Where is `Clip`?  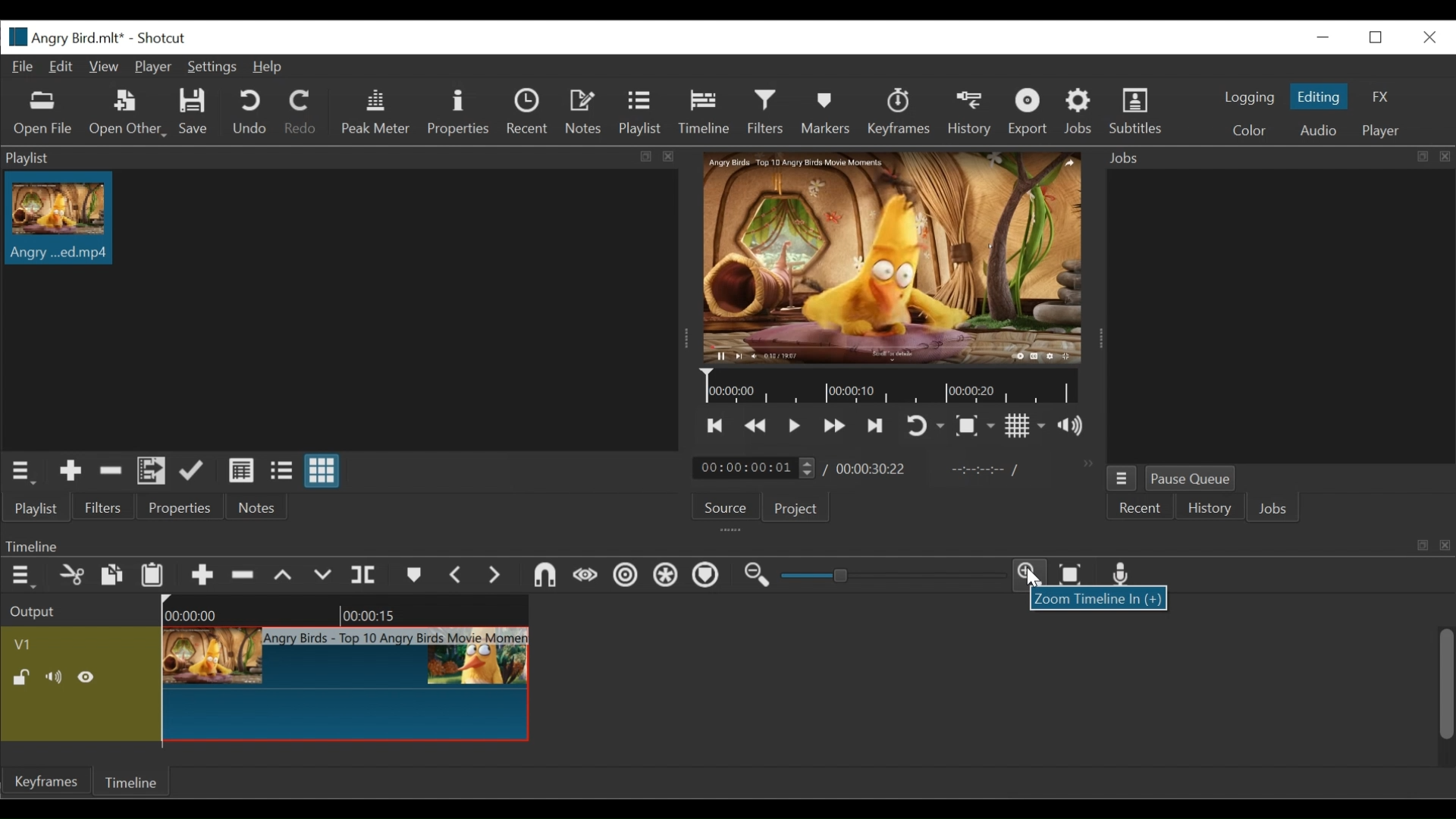
Clip is located at coordinates (347, 688).